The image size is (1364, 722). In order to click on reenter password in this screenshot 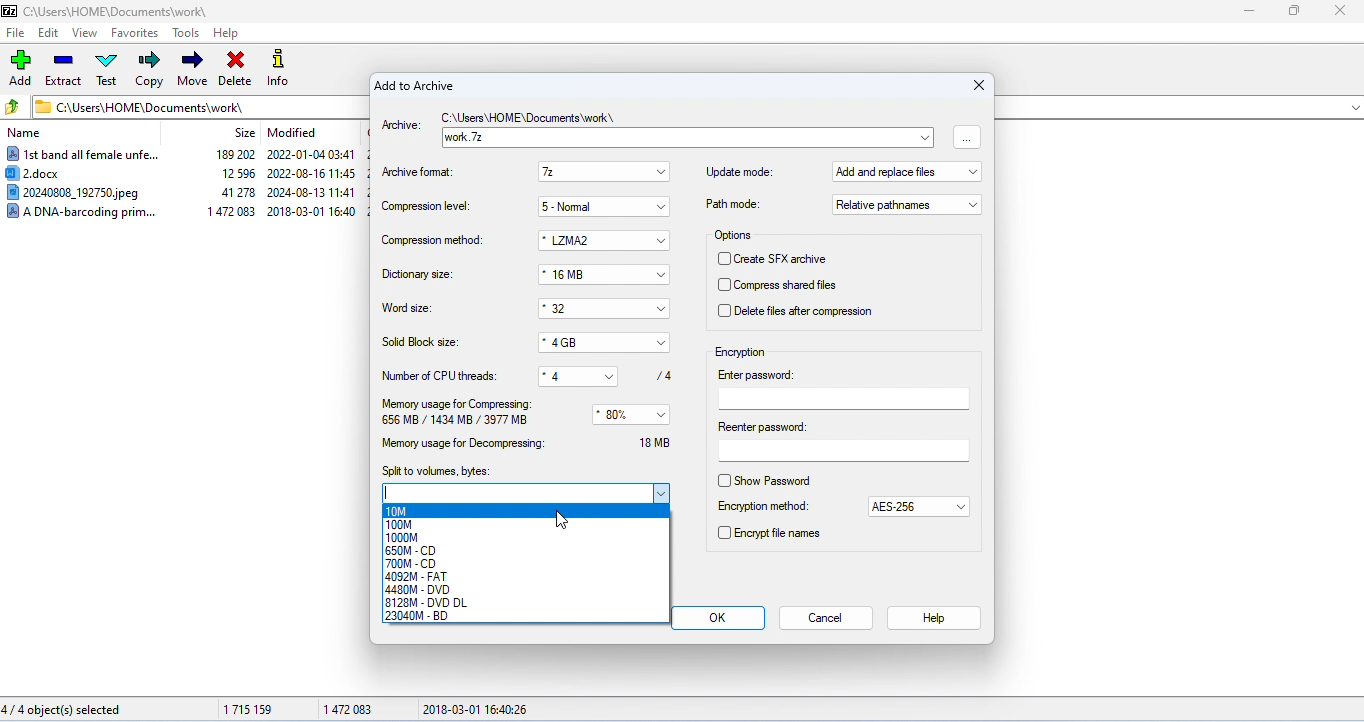, I will do `click(842, 442)`.